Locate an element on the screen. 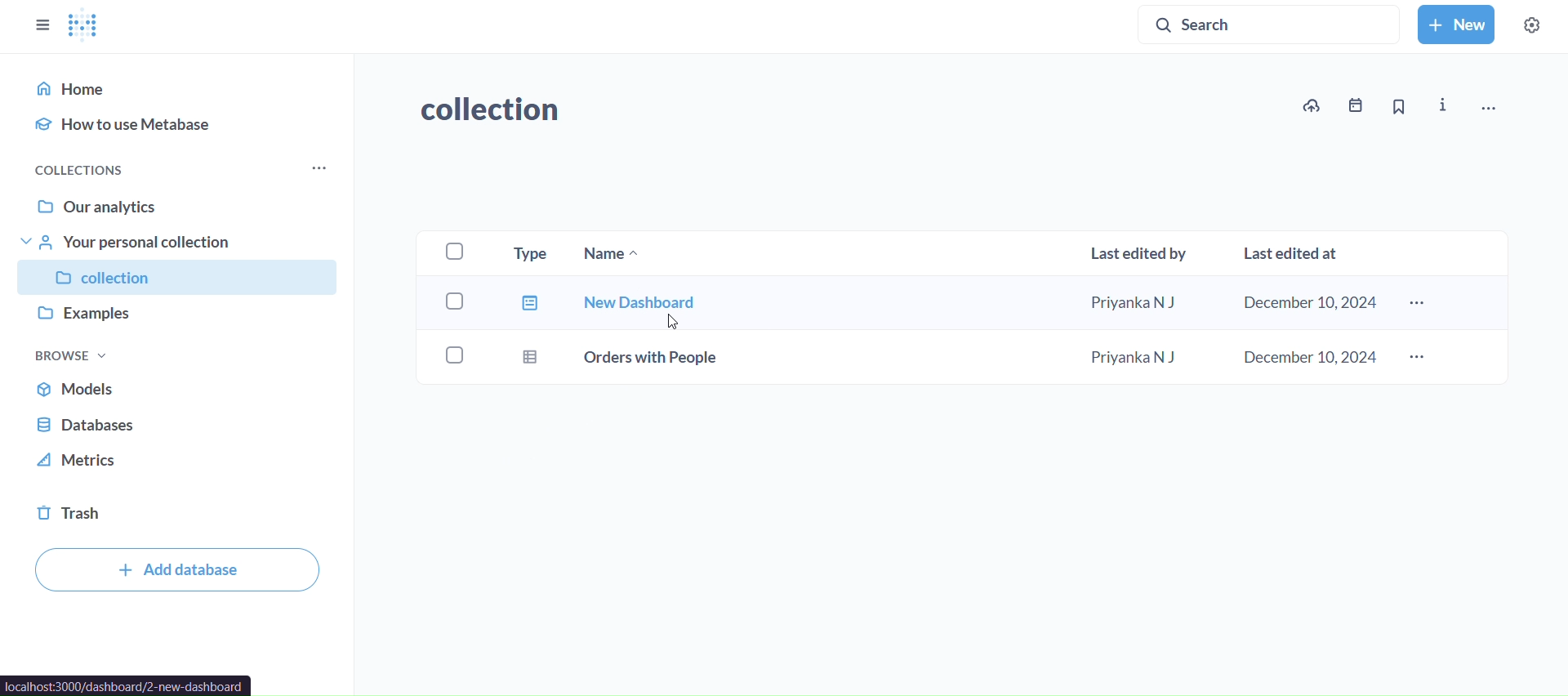 Image resolution: width=1568 pixels, height=696 pixels. close sidebar is located at coordinates (42, 25).